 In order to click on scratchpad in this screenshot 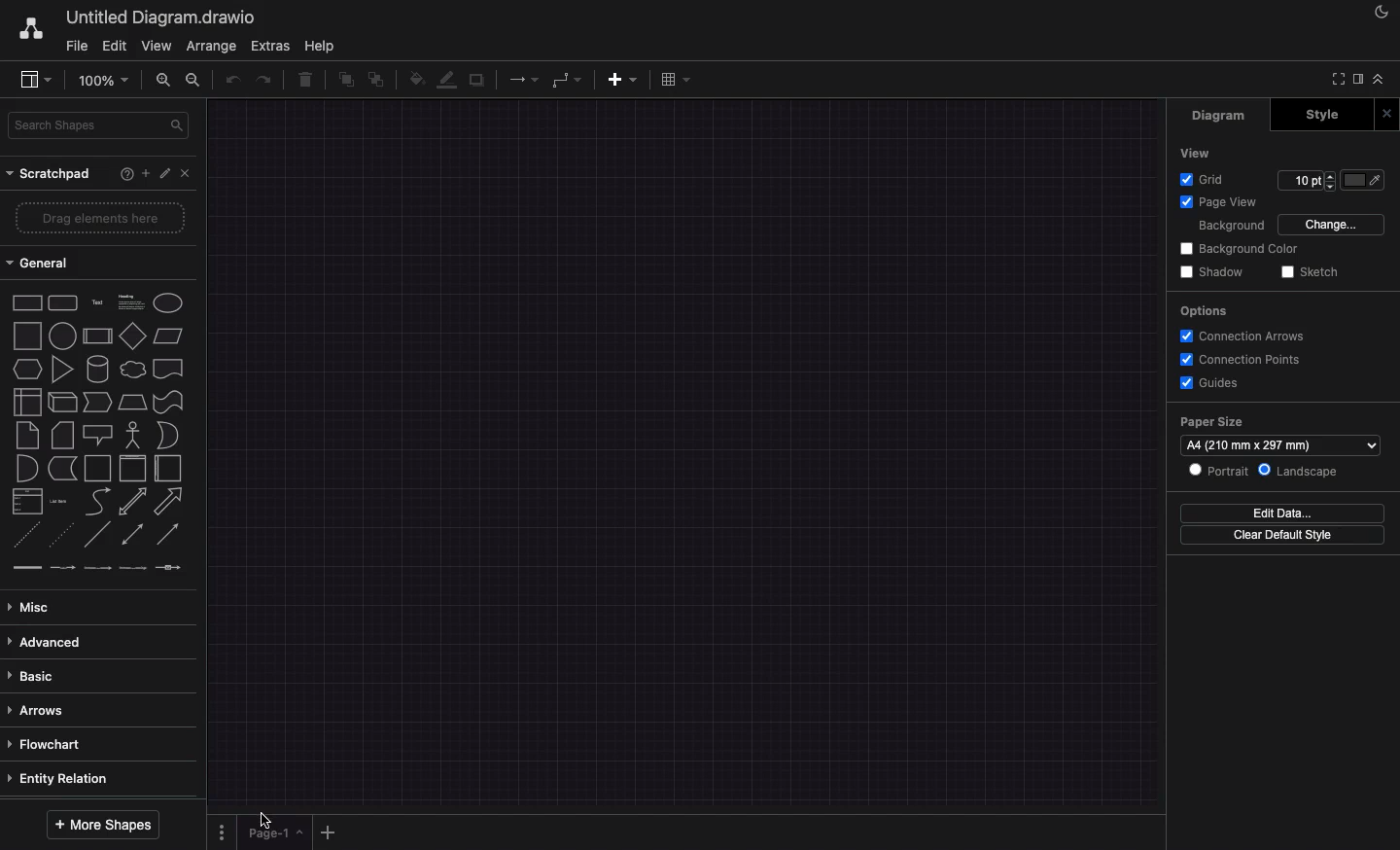, I will do `click(50, 174)`.